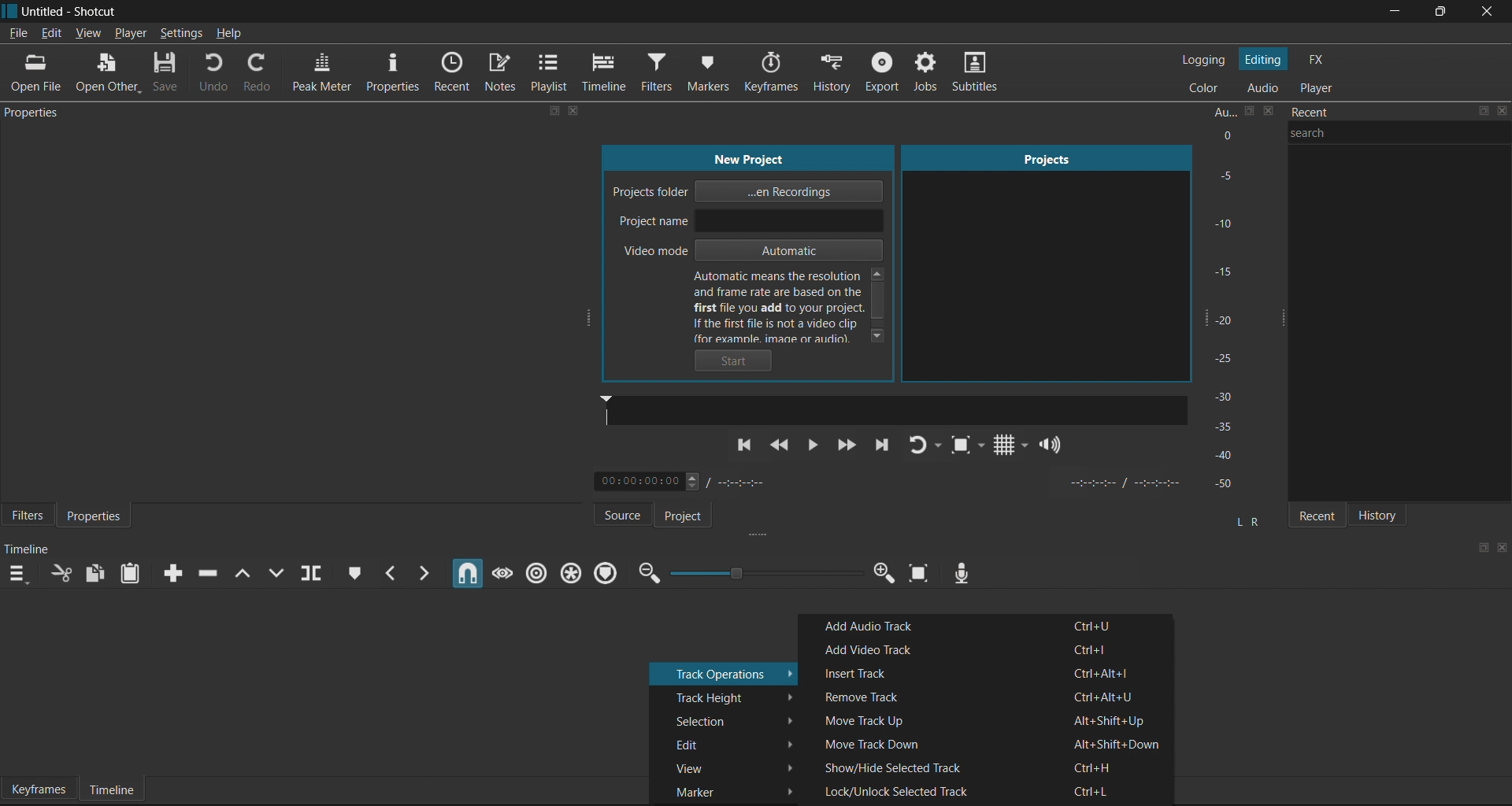  Describe the element at coordinates (167, 74) in the screenshot. I see `Save` at that location.